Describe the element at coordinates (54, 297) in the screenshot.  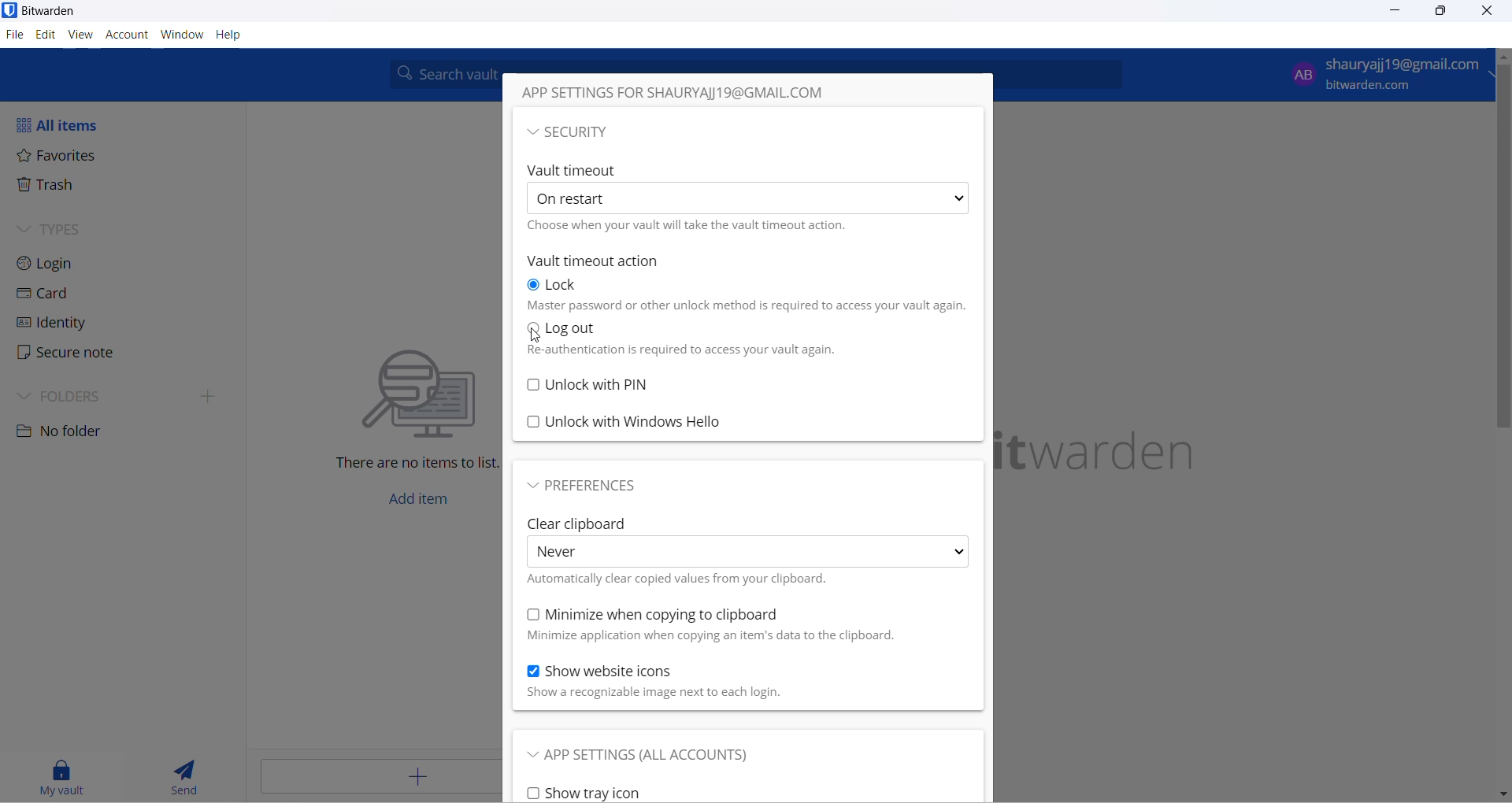
I see `Card` at that location.